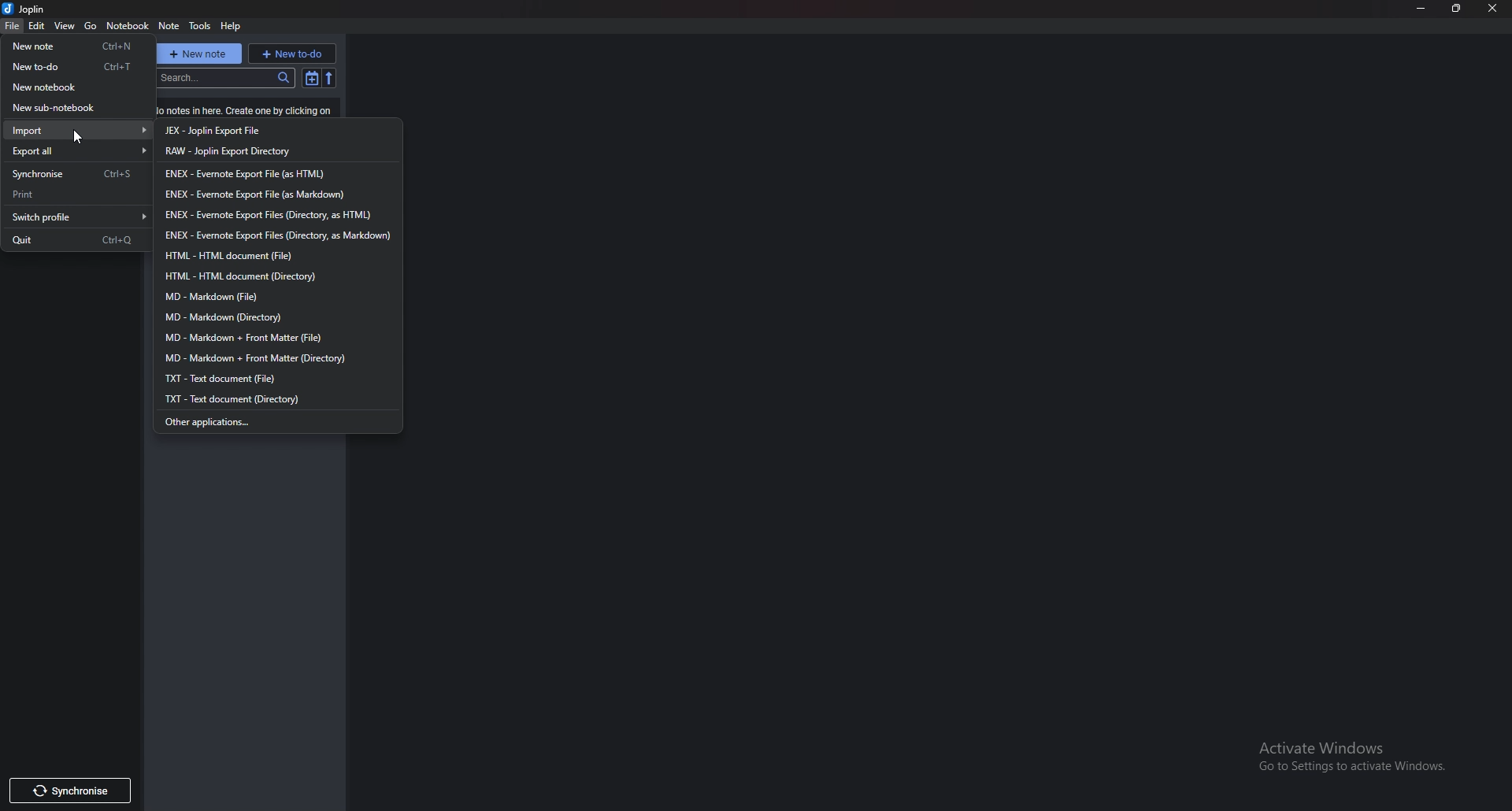 This screenshot has height=811, width=1512. What do you see at coordinates (201, 25) in the screenshot?
I see `Tools` at bounding box center [201, 25].